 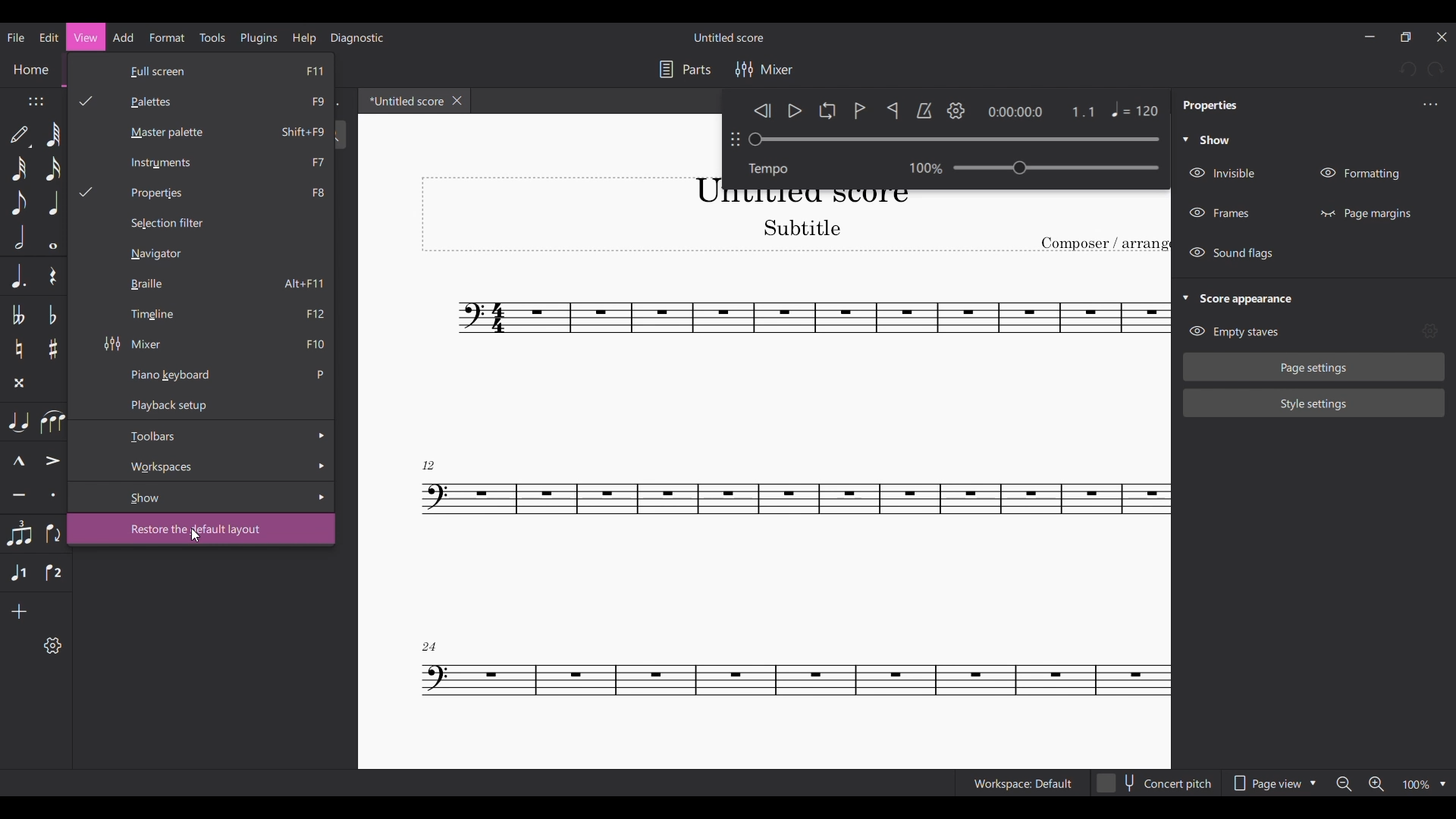 What do you see at coordinates (956, 111) in the screenshot?
I see `Settings` at bounding box center [956, 111].